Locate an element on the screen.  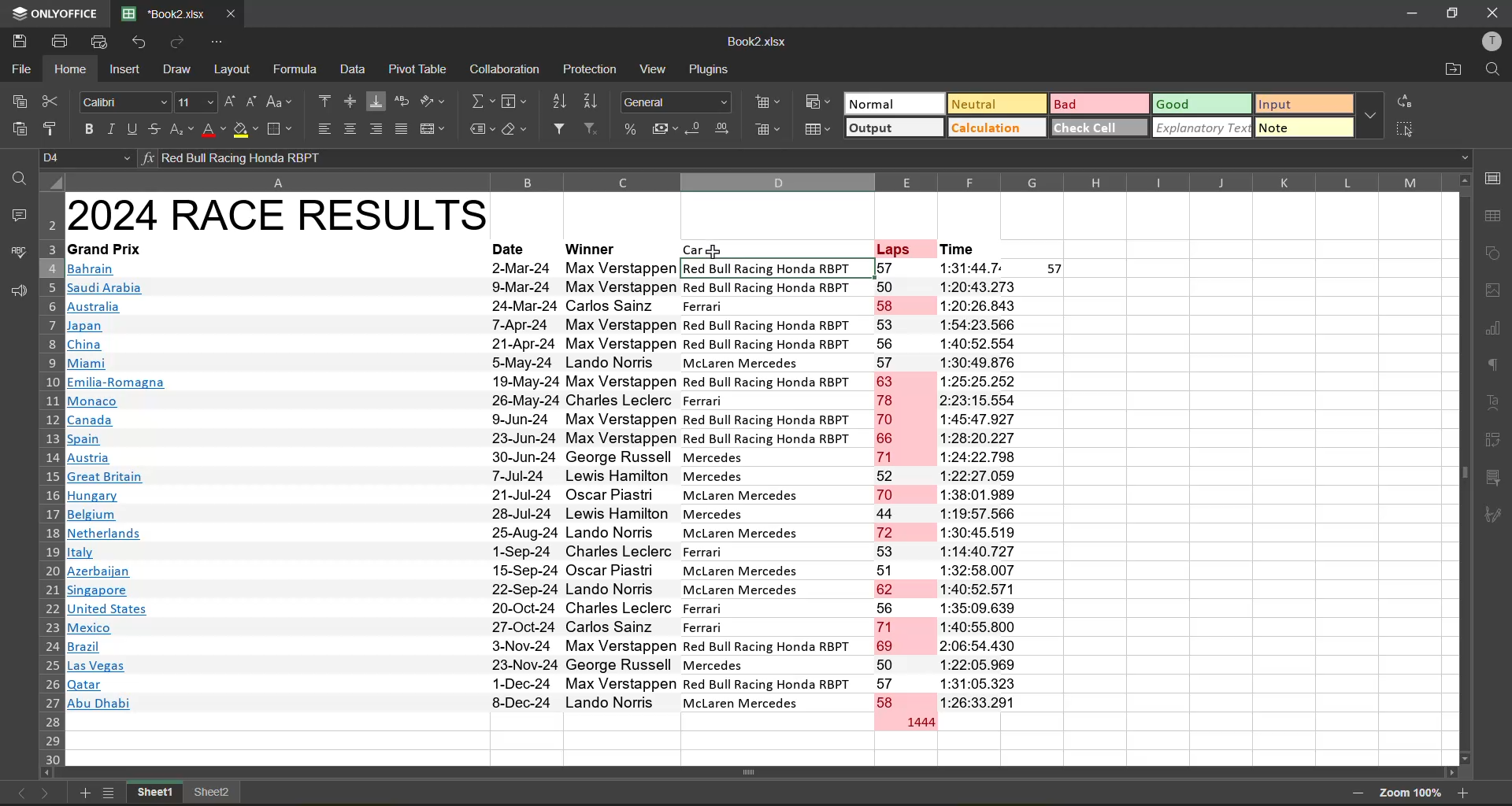
sheet names is located at coordinates (185, 790).